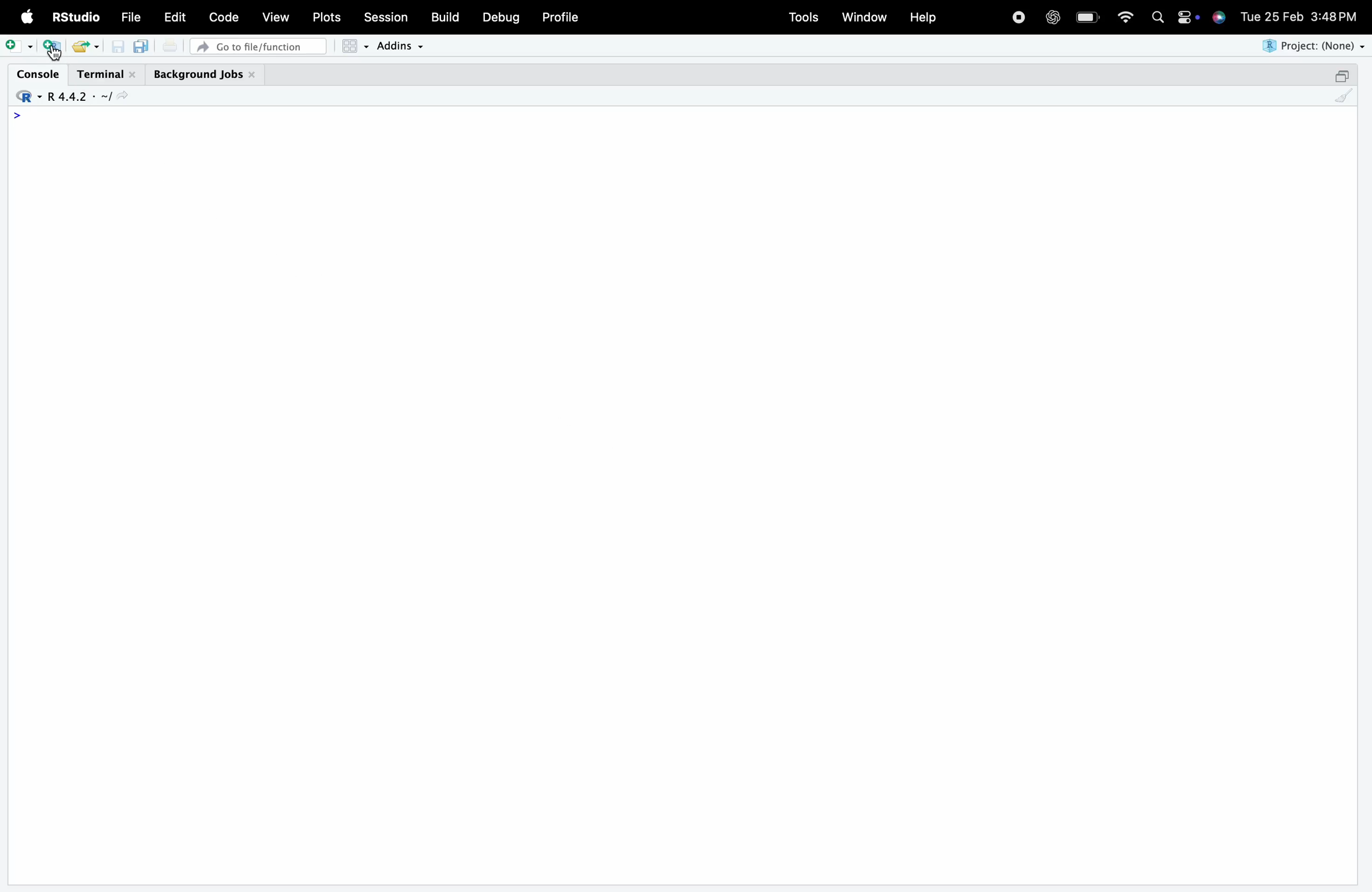  I want to click on print the current file, so click(170, 46).